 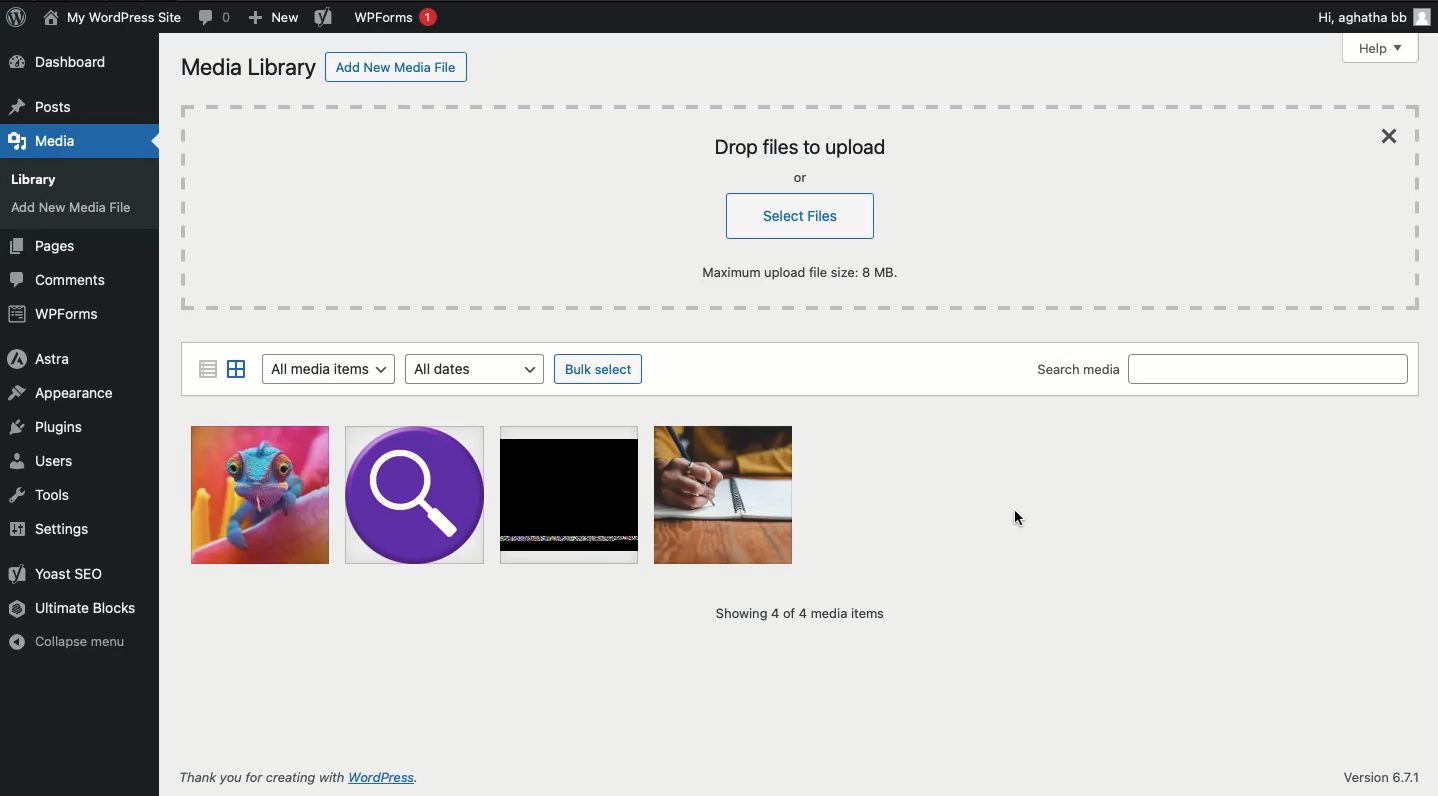 What do you see at coordinates (415, 497) in the screenshot?
I see `image 2` at bounding box center [415, 497].